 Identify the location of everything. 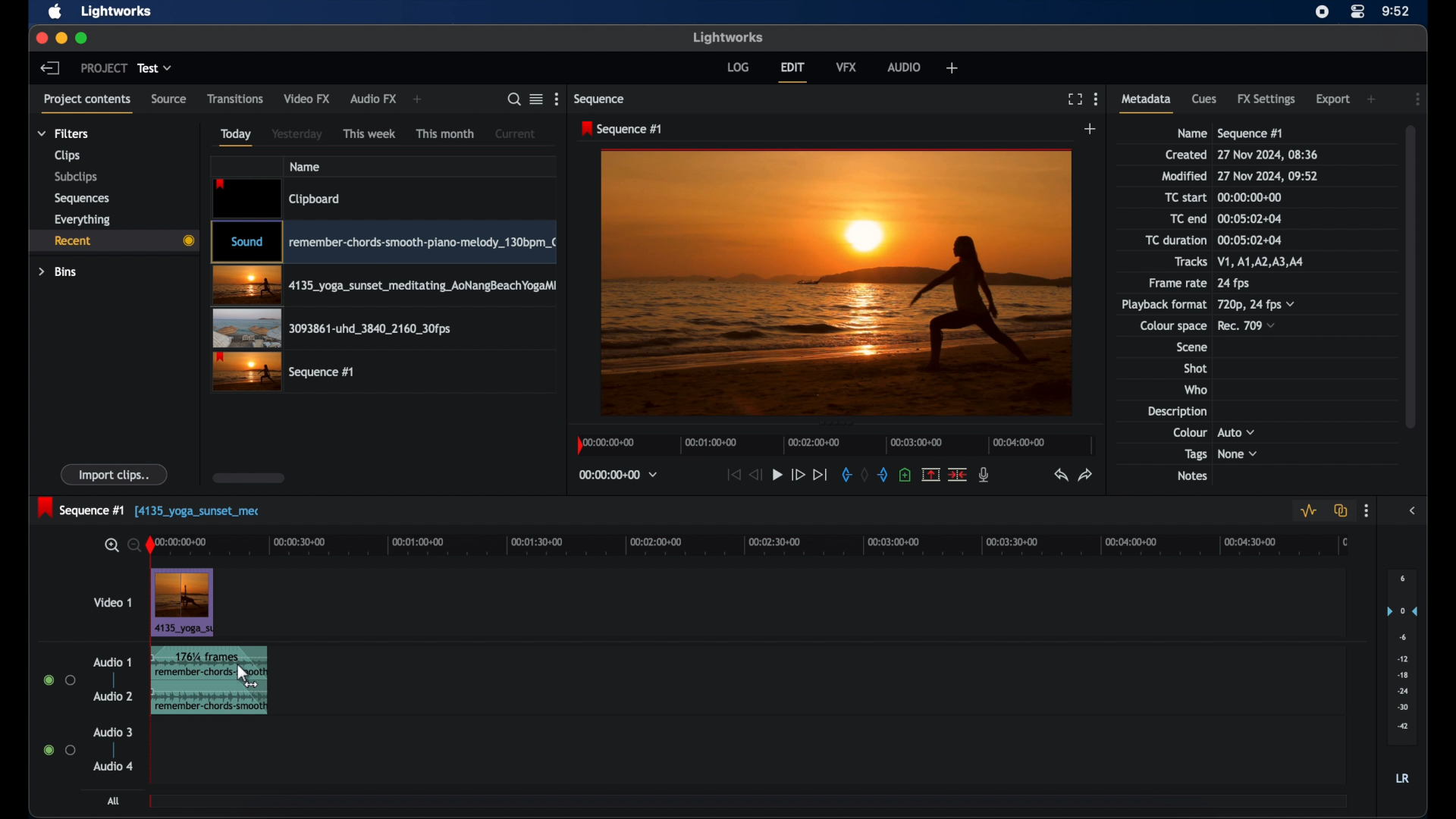
(82, 220).